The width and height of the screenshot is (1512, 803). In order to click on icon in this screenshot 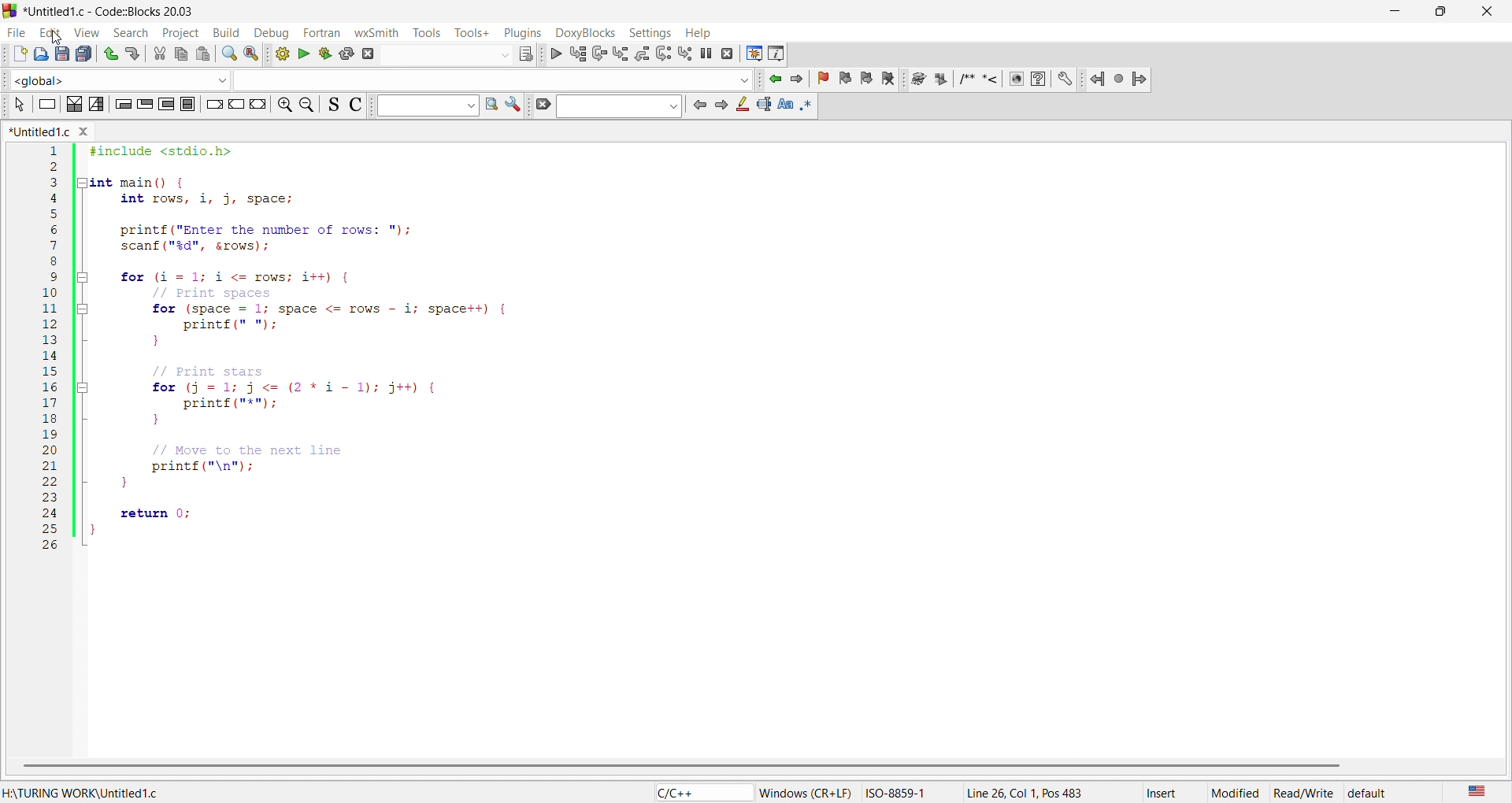, I will do `click(98, 106)`.